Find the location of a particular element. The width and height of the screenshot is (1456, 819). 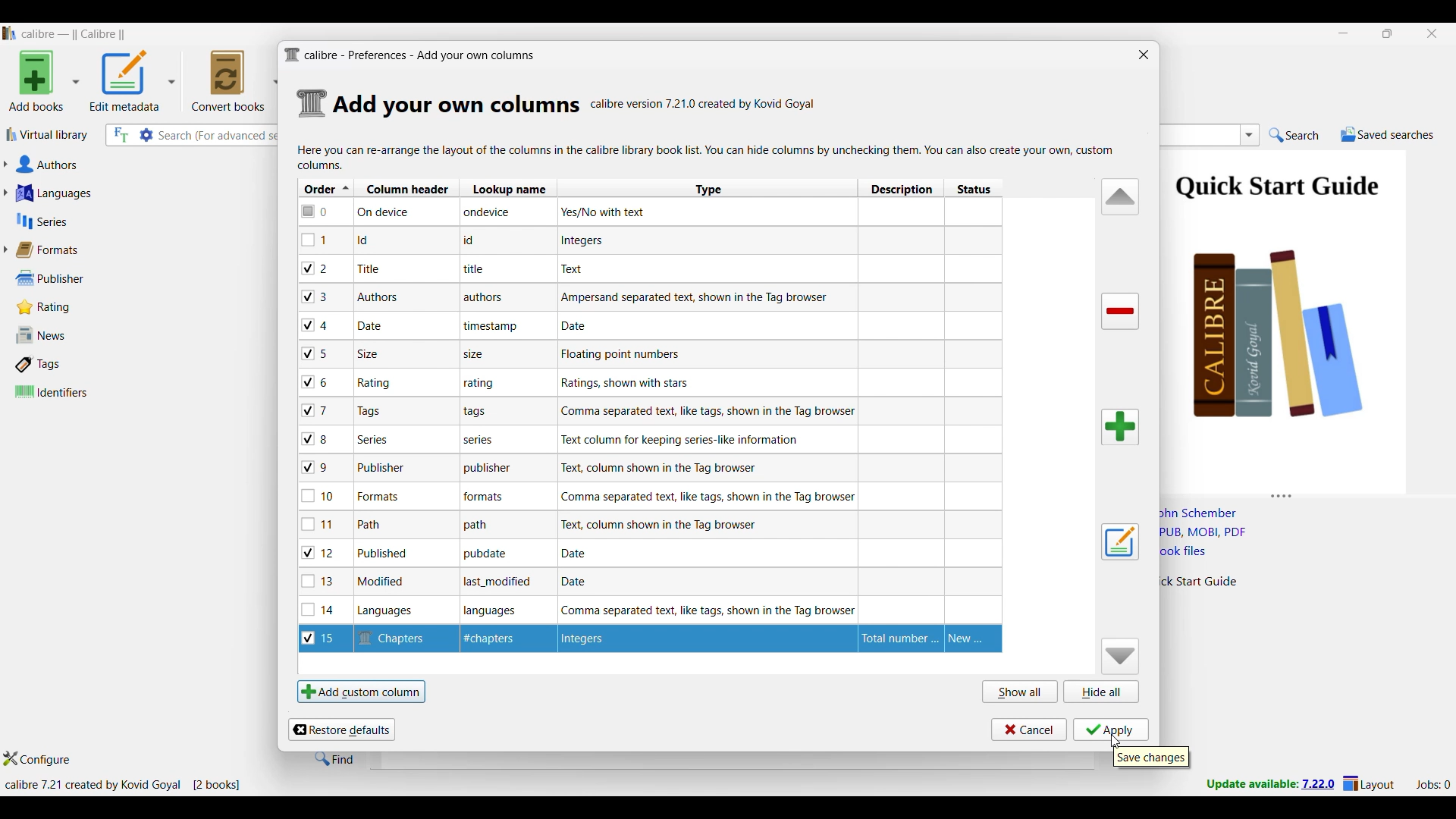

Cursor clicking on saving inputs made is located at coordinates (1115, 742).